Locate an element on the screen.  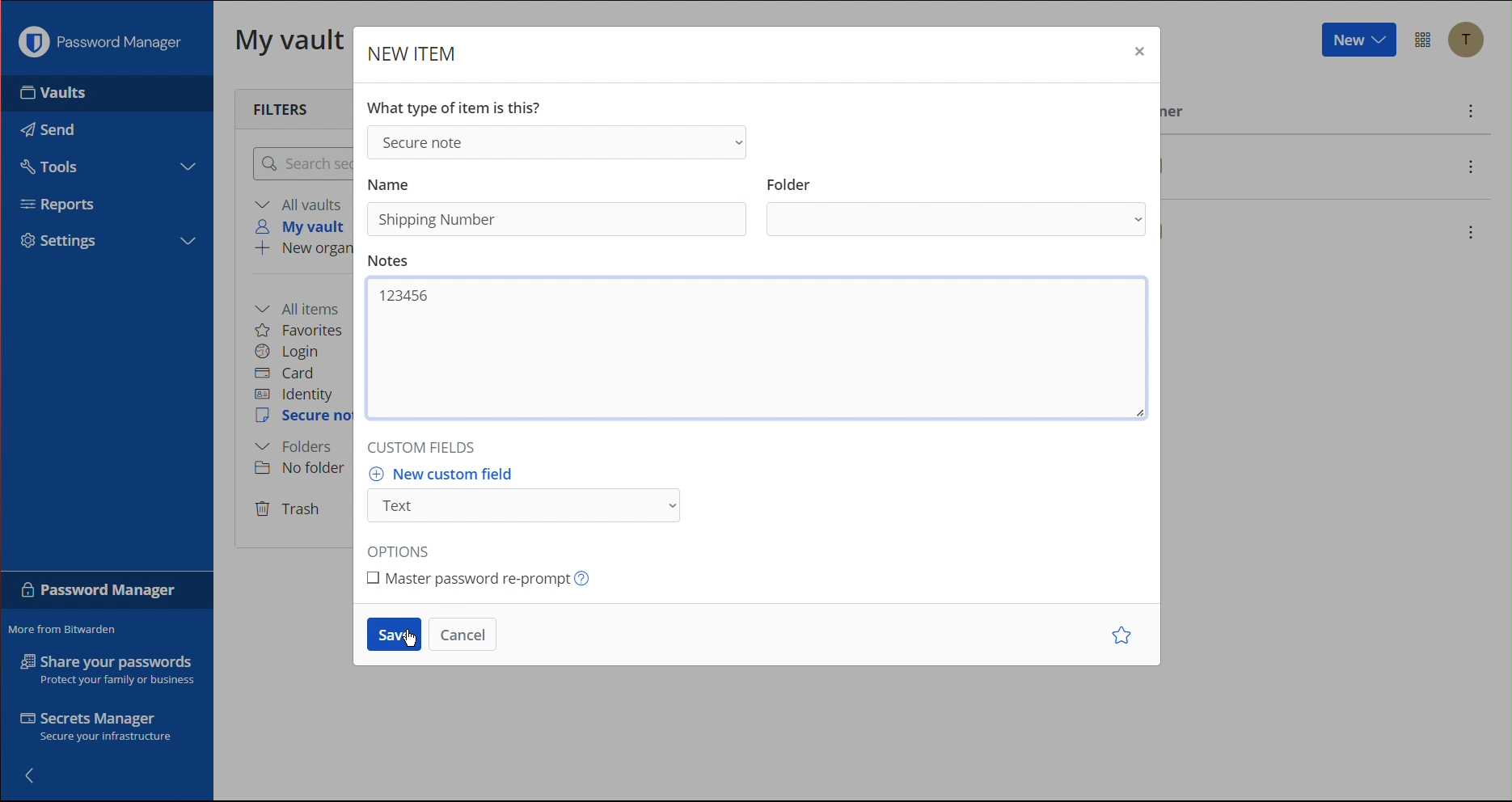
Options is located at coordinates (1425, 39).